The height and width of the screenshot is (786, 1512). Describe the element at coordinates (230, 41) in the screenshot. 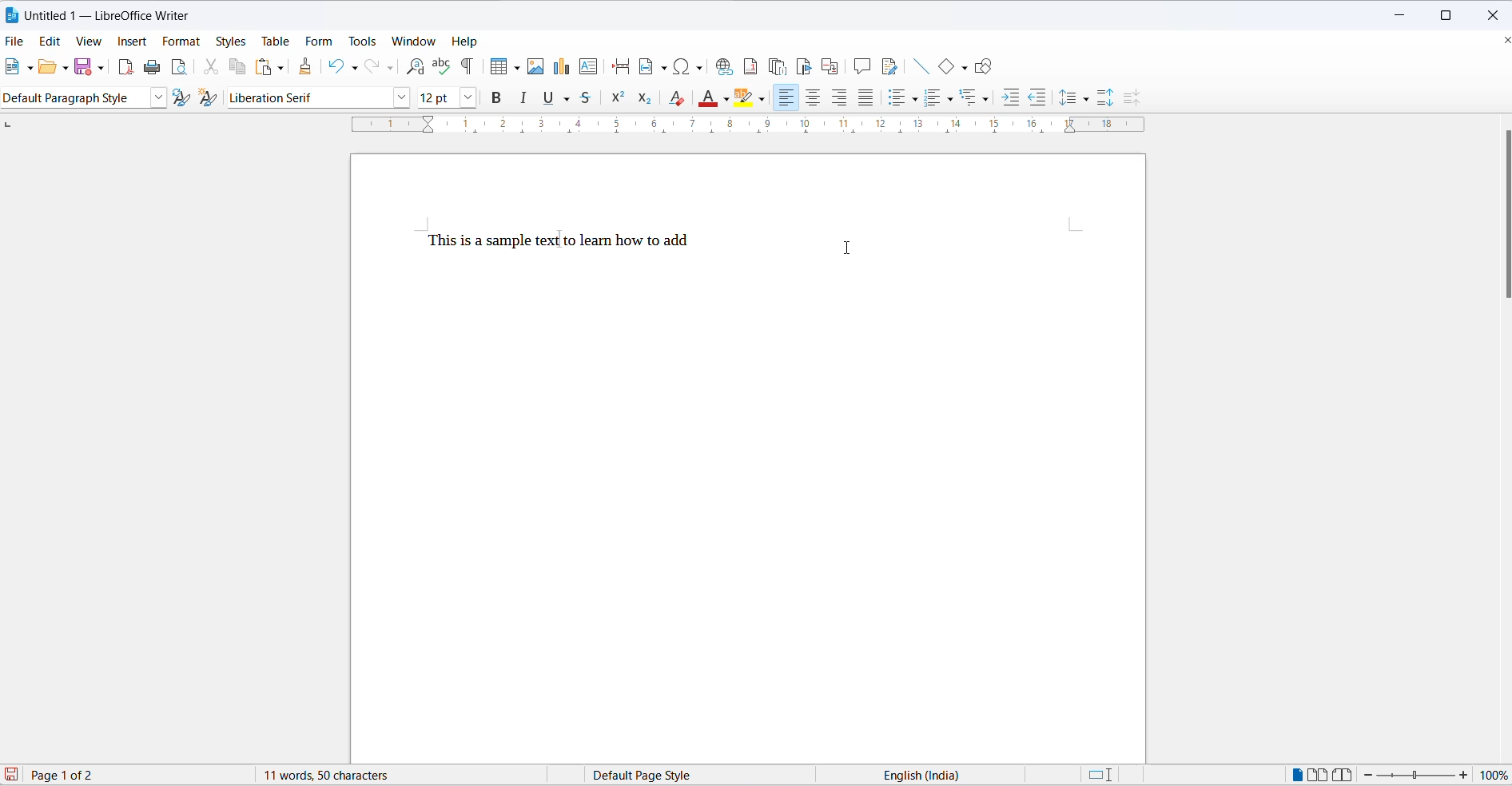

I see `styles` at that location.